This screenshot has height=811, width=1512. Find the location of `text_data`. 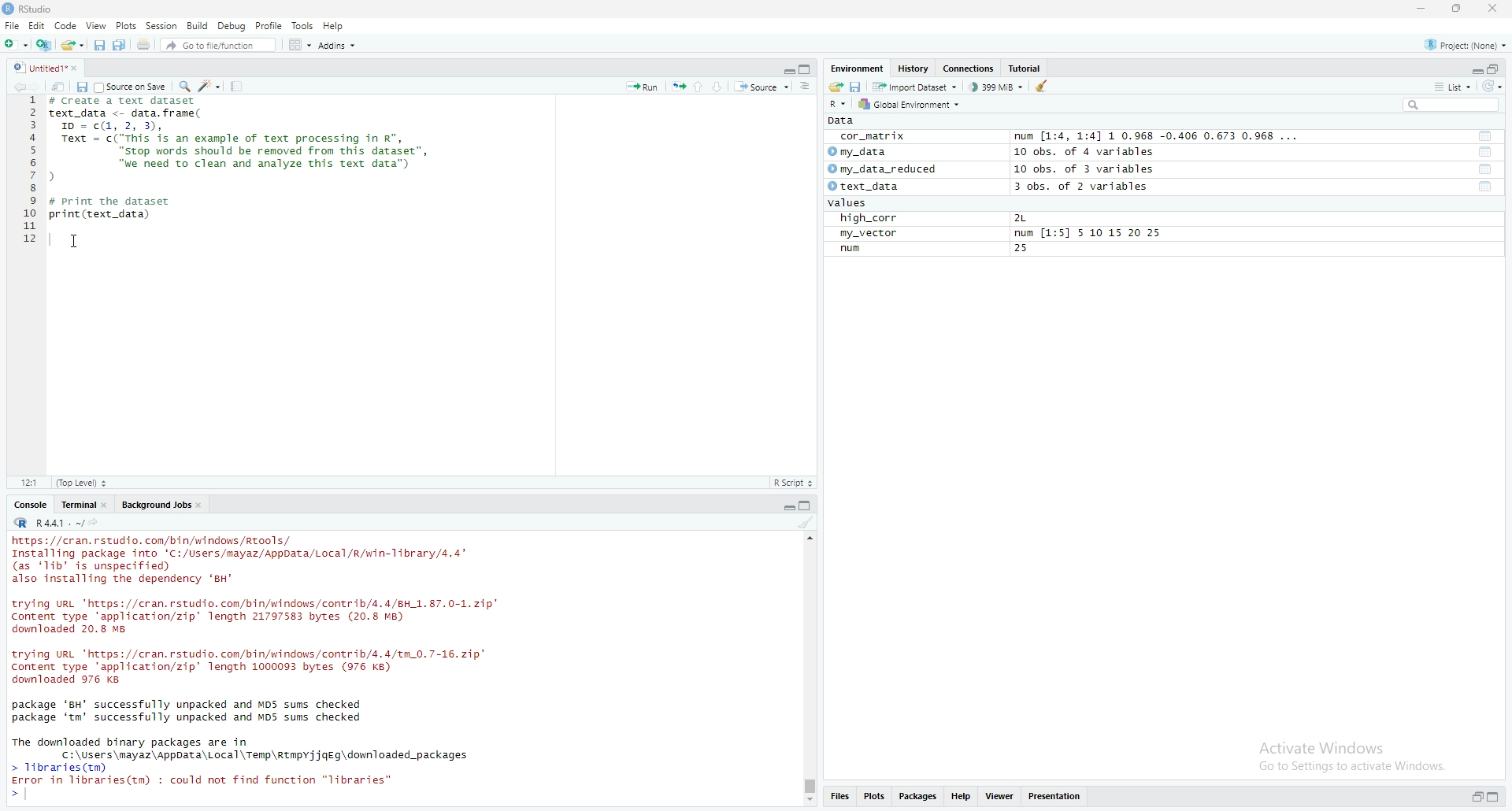

text_data is located at coordinates (861, 187).